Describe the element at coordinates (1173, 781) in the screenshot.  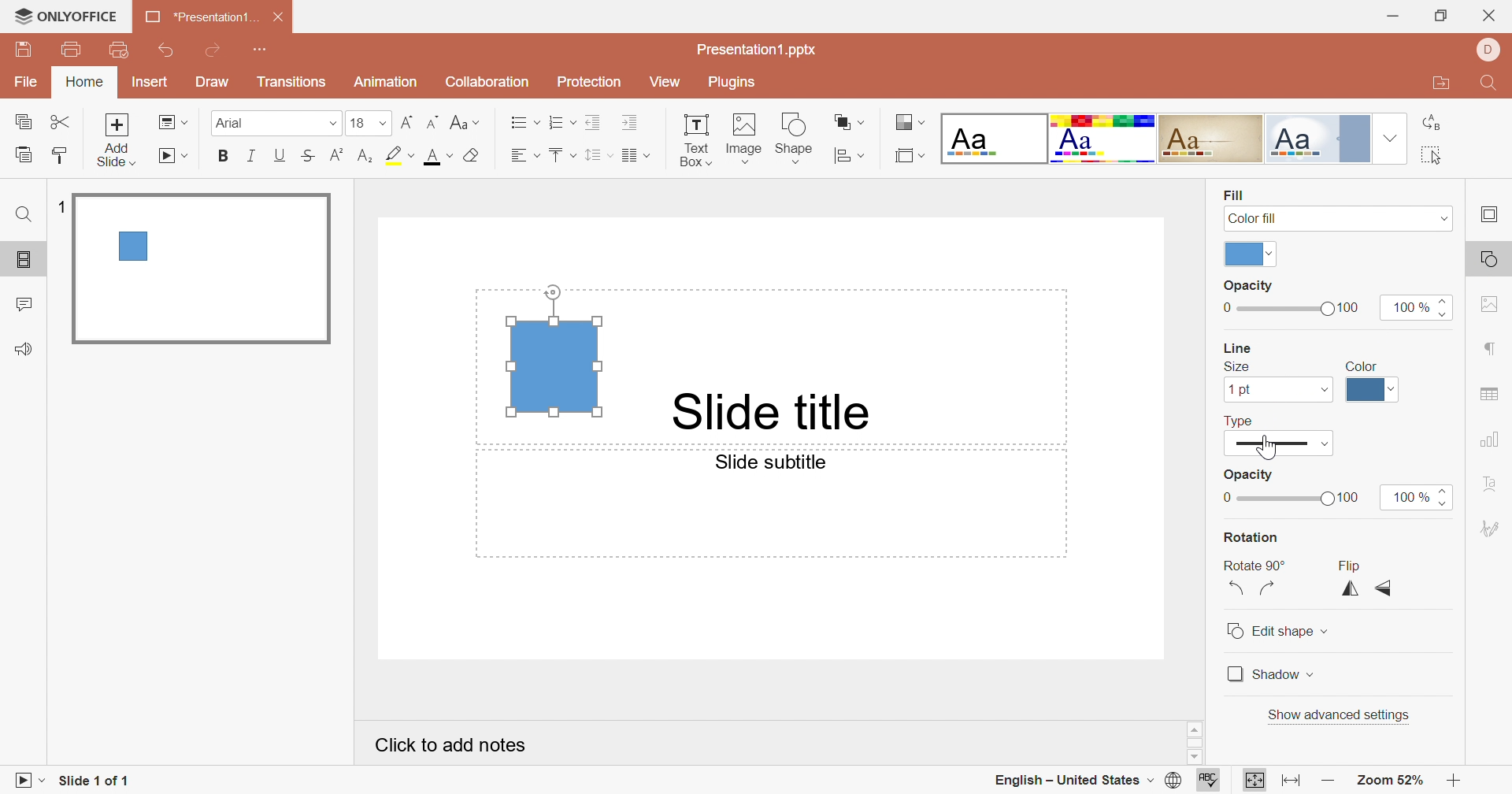
I see `SET DOCUMENT LANGUAGE` at that location.